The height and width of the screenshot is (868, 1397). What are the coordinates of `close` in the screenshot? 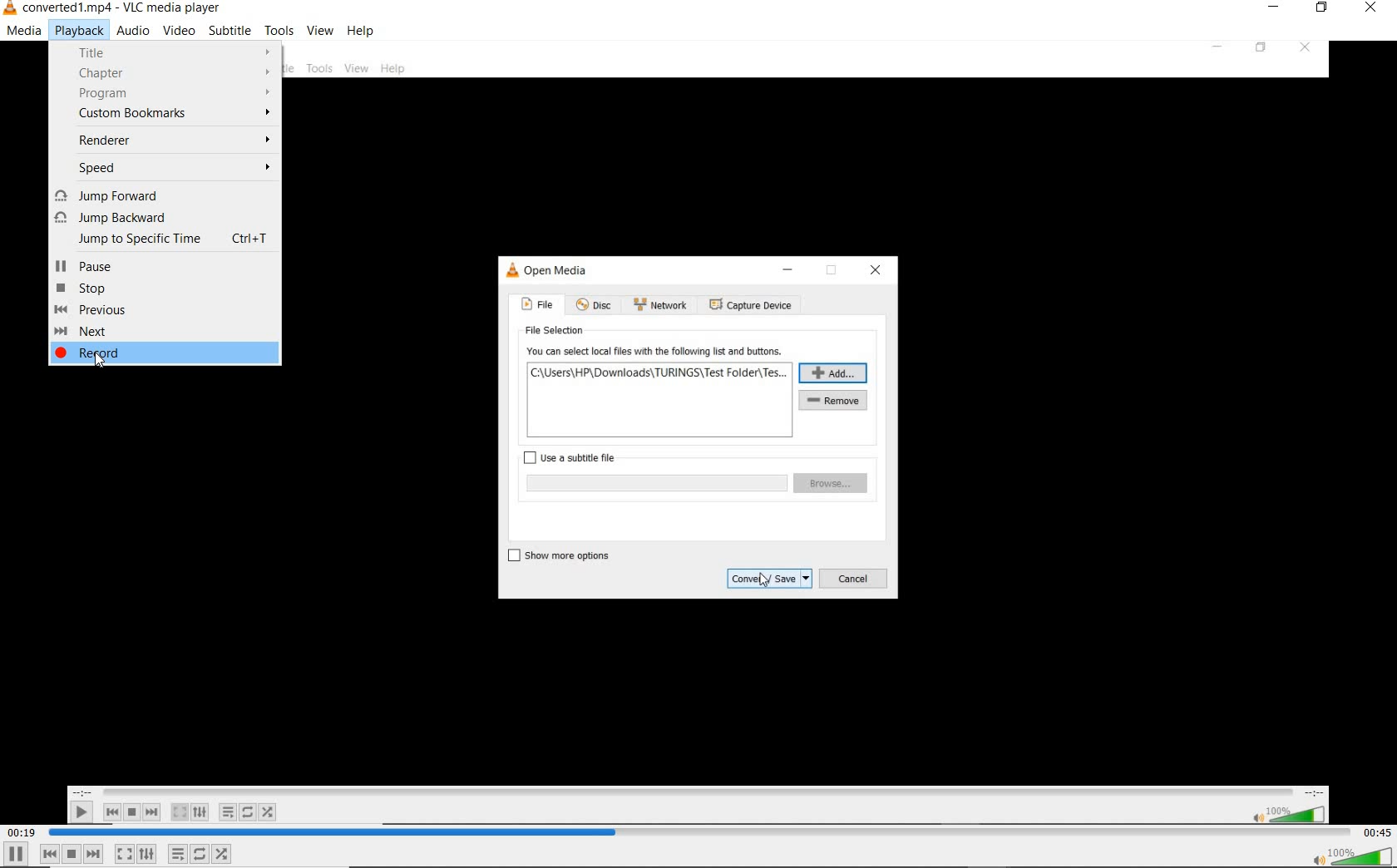 It's located at (1370, 9).